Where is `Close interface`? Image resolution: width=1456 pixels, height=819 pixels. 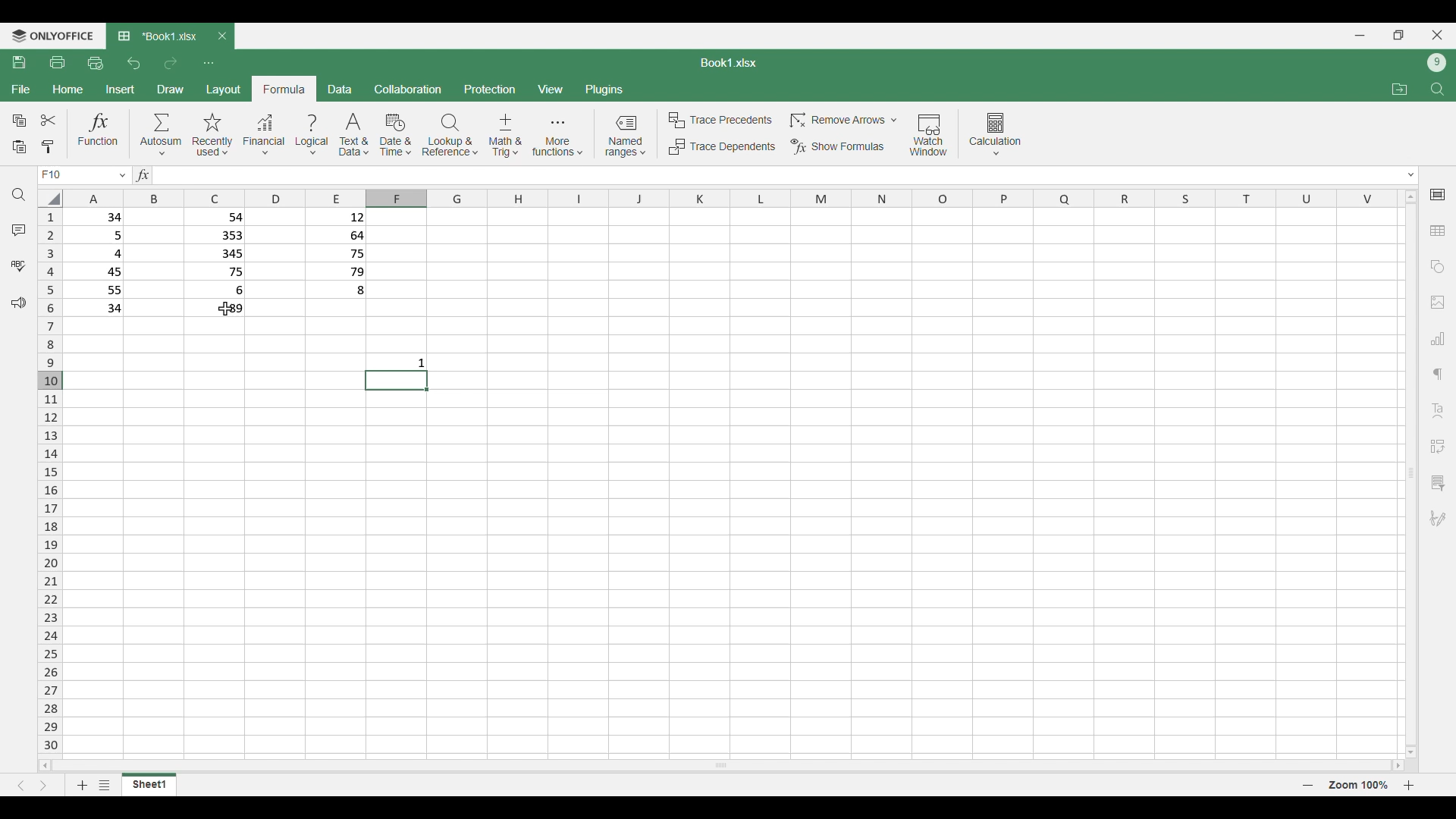 Close interface is located at coordinates (1438, 35).